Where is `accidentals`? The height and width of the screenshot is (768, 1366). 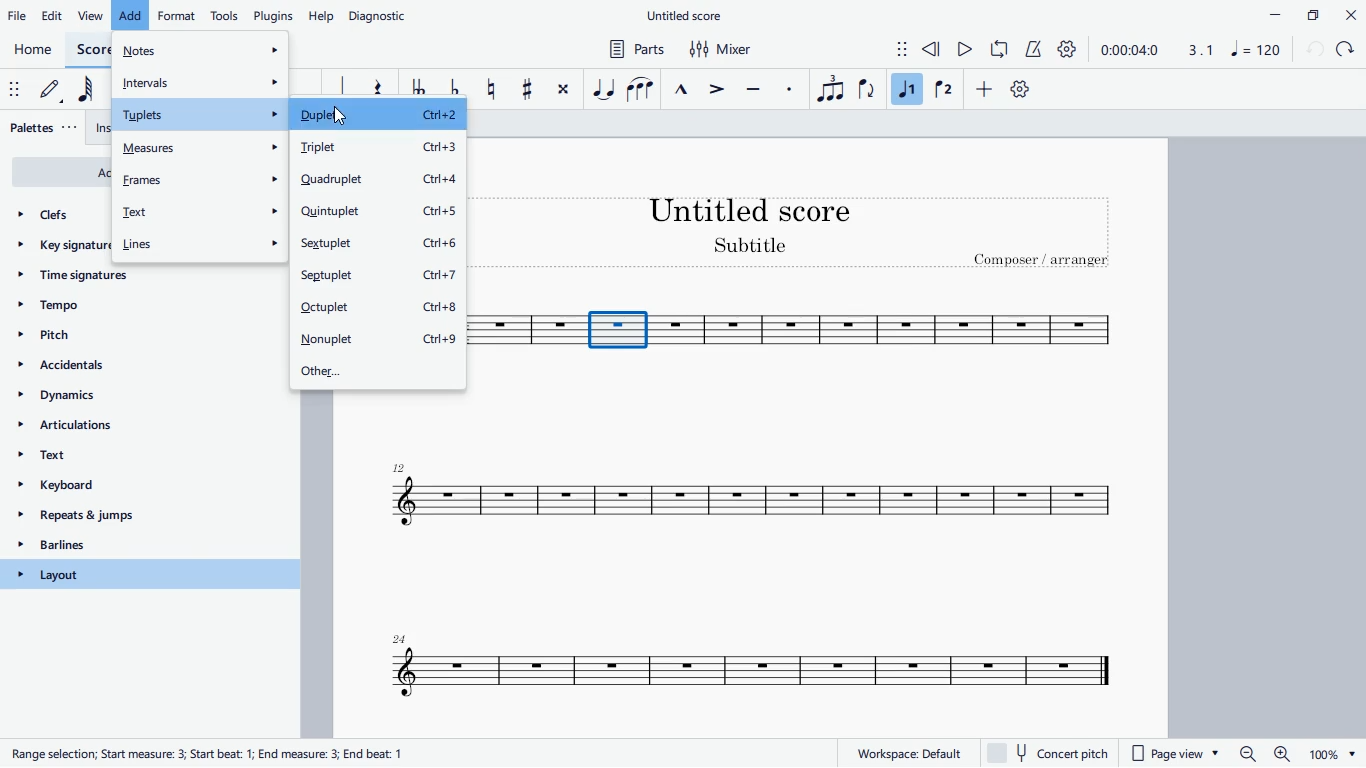 accidentals is located at coordinates (92, 368).